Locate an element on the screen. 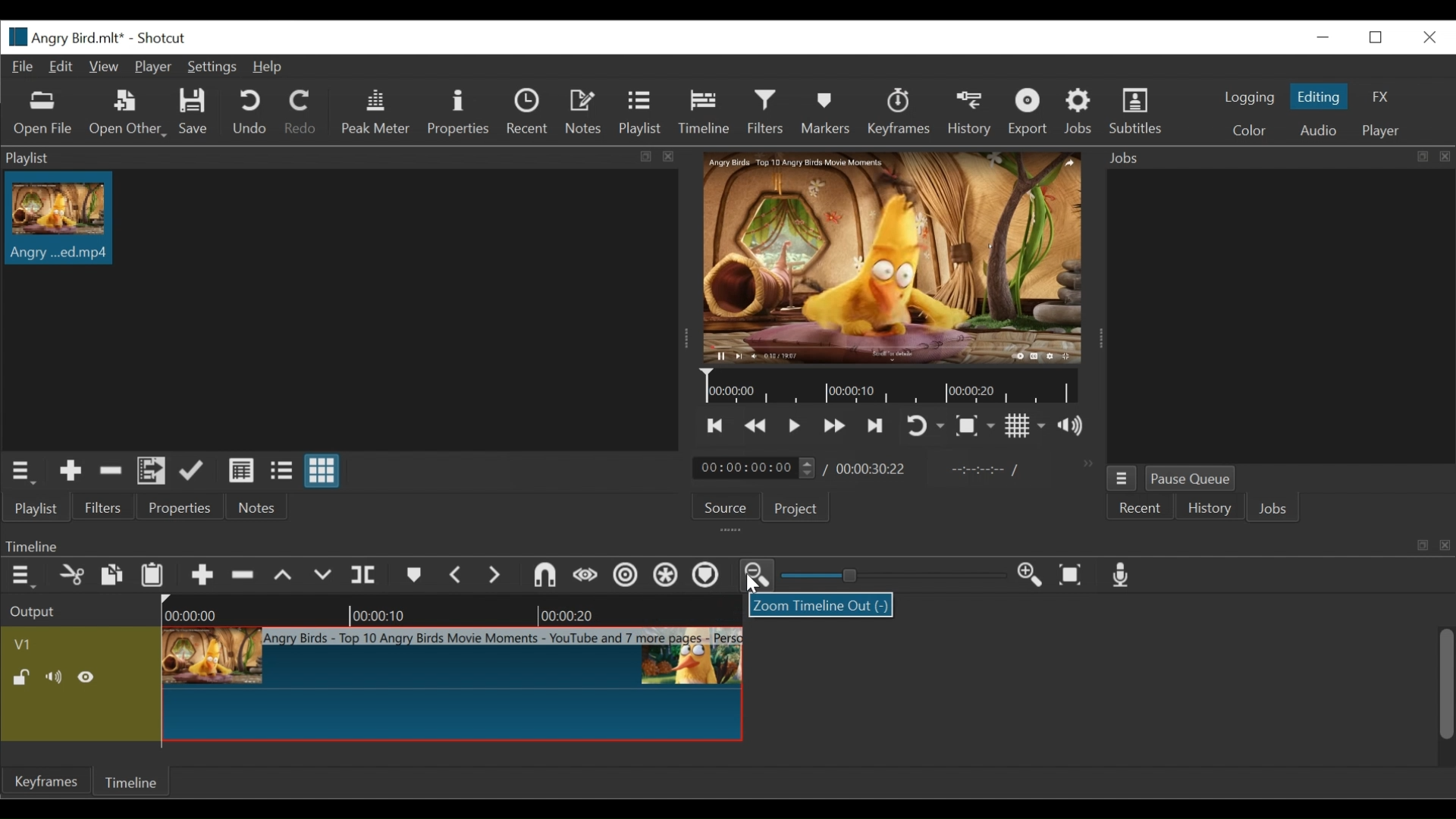  Timeline is located at coordinates (893, 386).